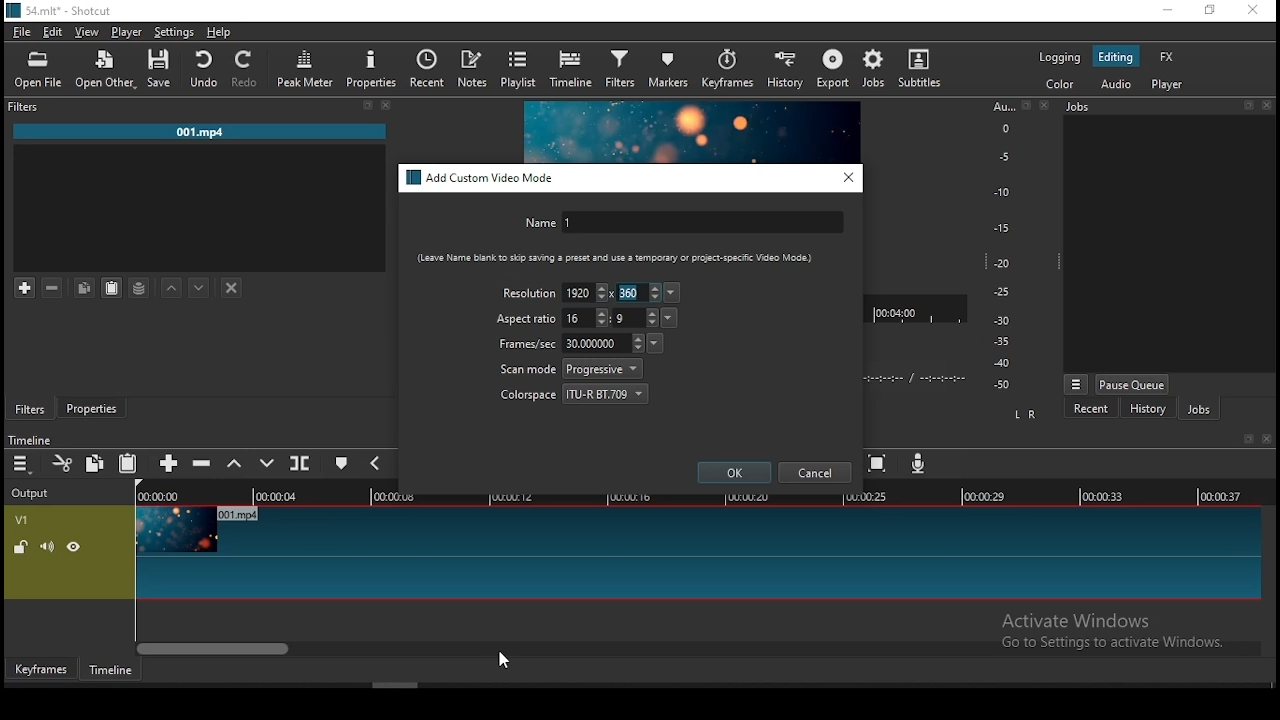  What do you see at coordinates (219, 32) in the screenshot?
I see `help` at bounding box center [219, 32].